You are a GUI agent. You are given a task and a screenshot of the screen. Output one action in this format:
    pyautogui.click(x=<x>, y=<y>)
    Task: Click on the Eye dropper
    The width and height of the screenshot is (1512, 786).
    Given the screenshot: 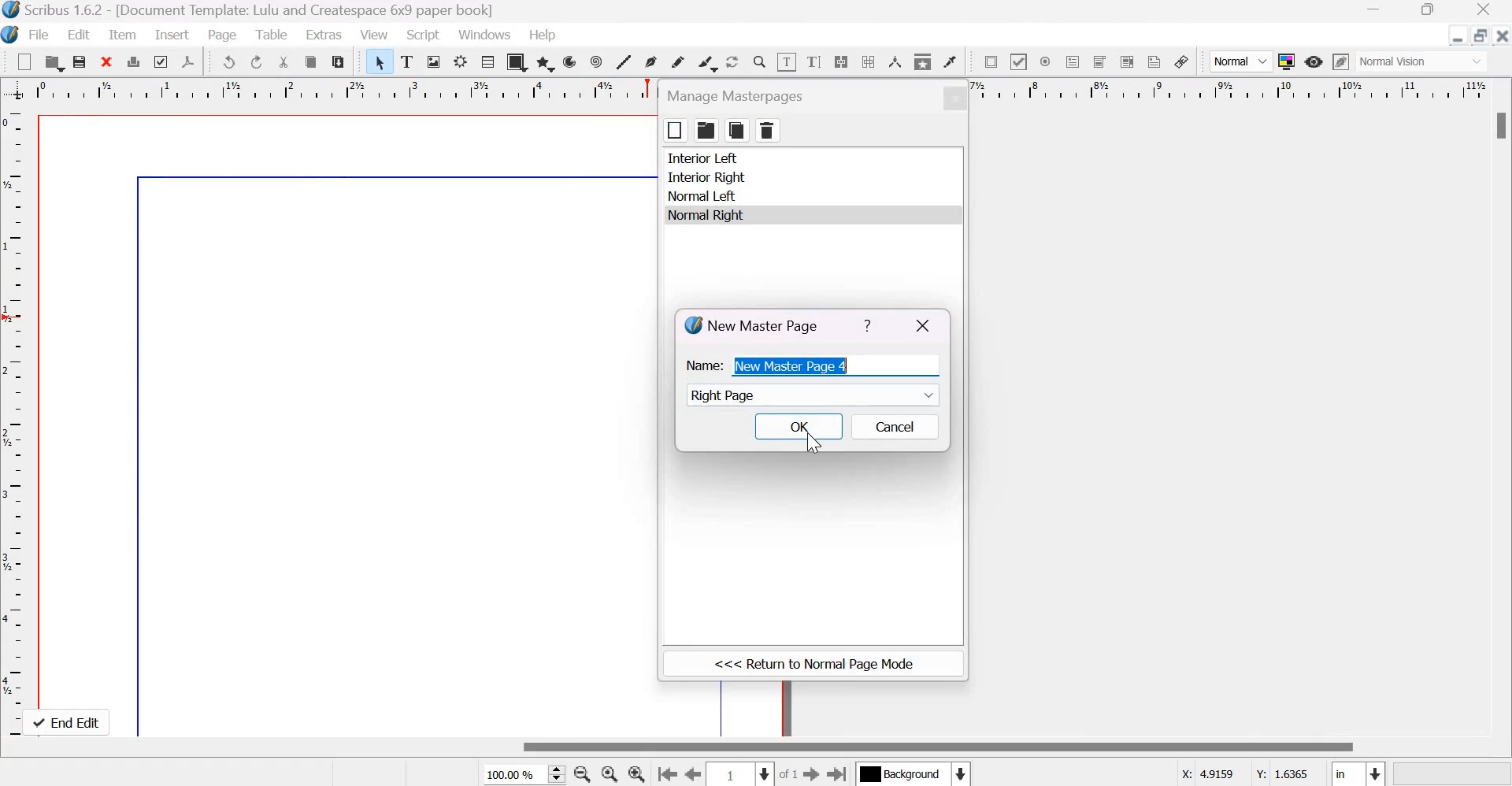 What is the action you would take?
    pyautogui.click(x=949, y=62)
    